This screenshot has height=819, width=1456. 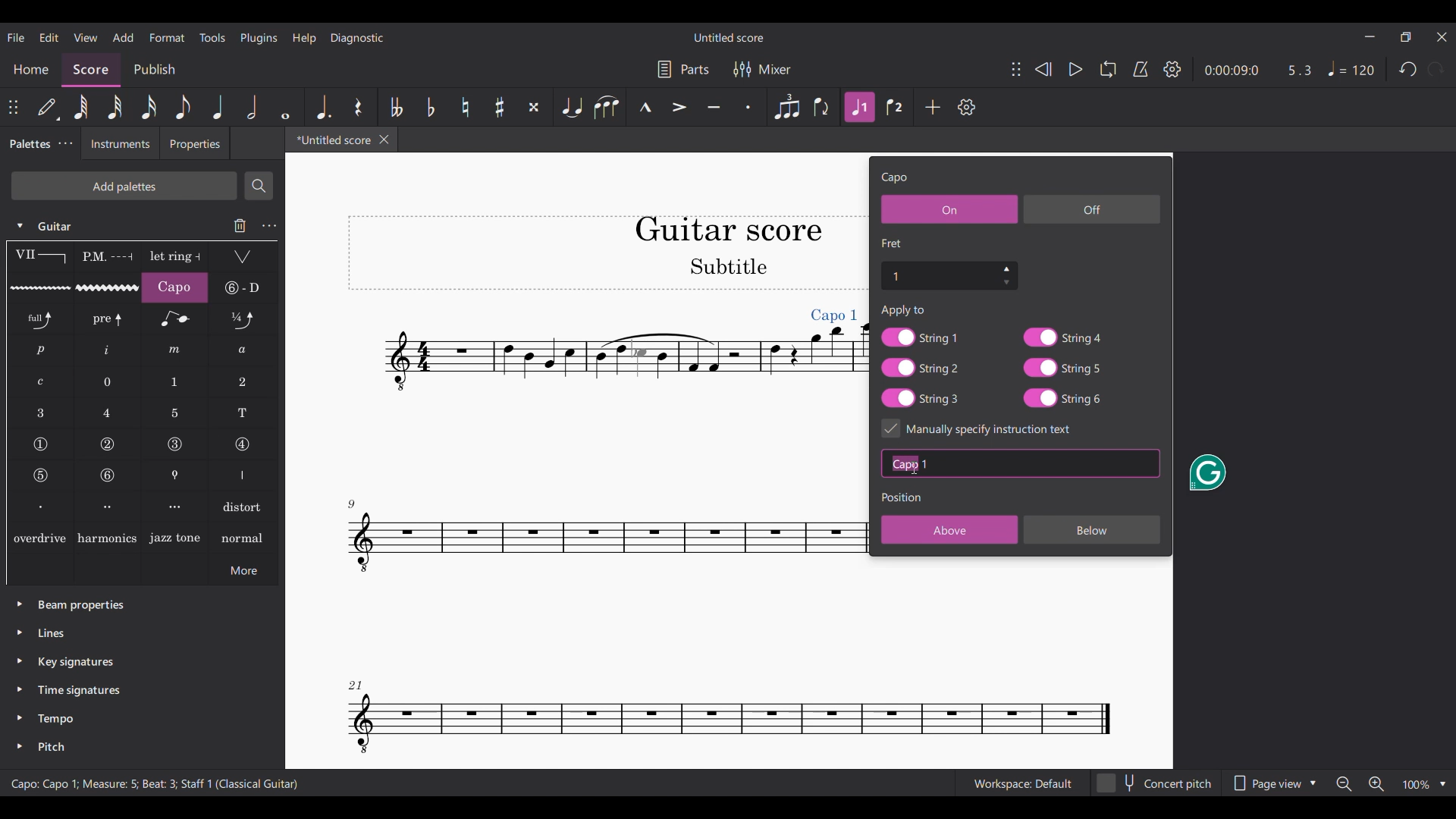 I want to click on 8th note, so click(x=183, y=107).